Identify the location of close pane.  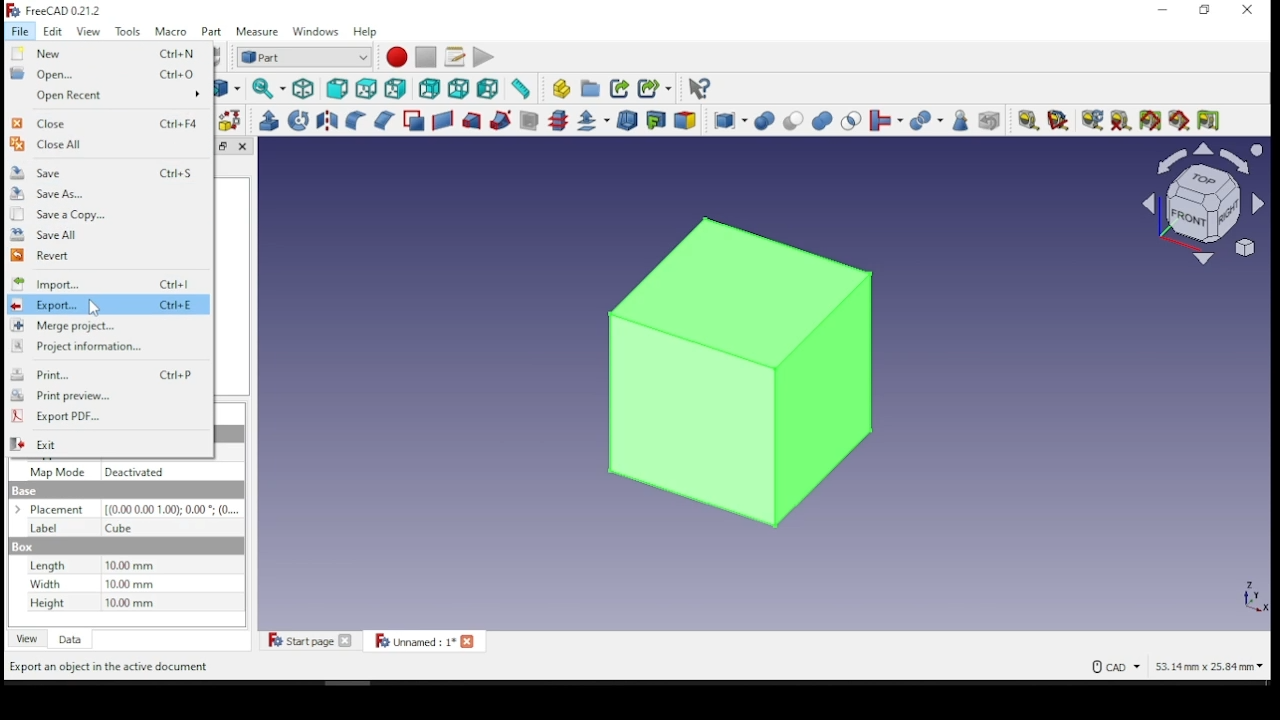
(242, 146).